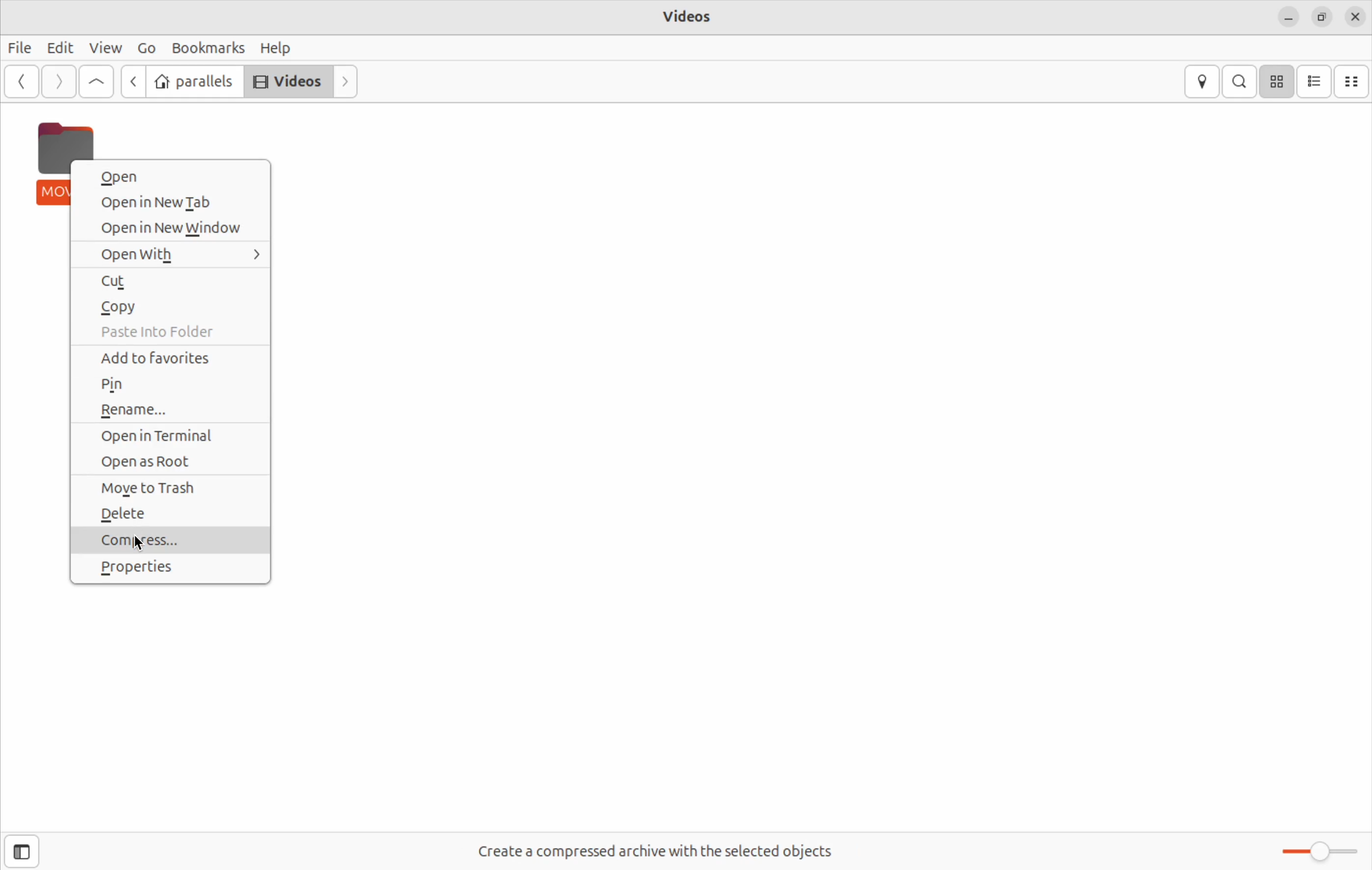  I want to click on open as root, so click(174, 460).